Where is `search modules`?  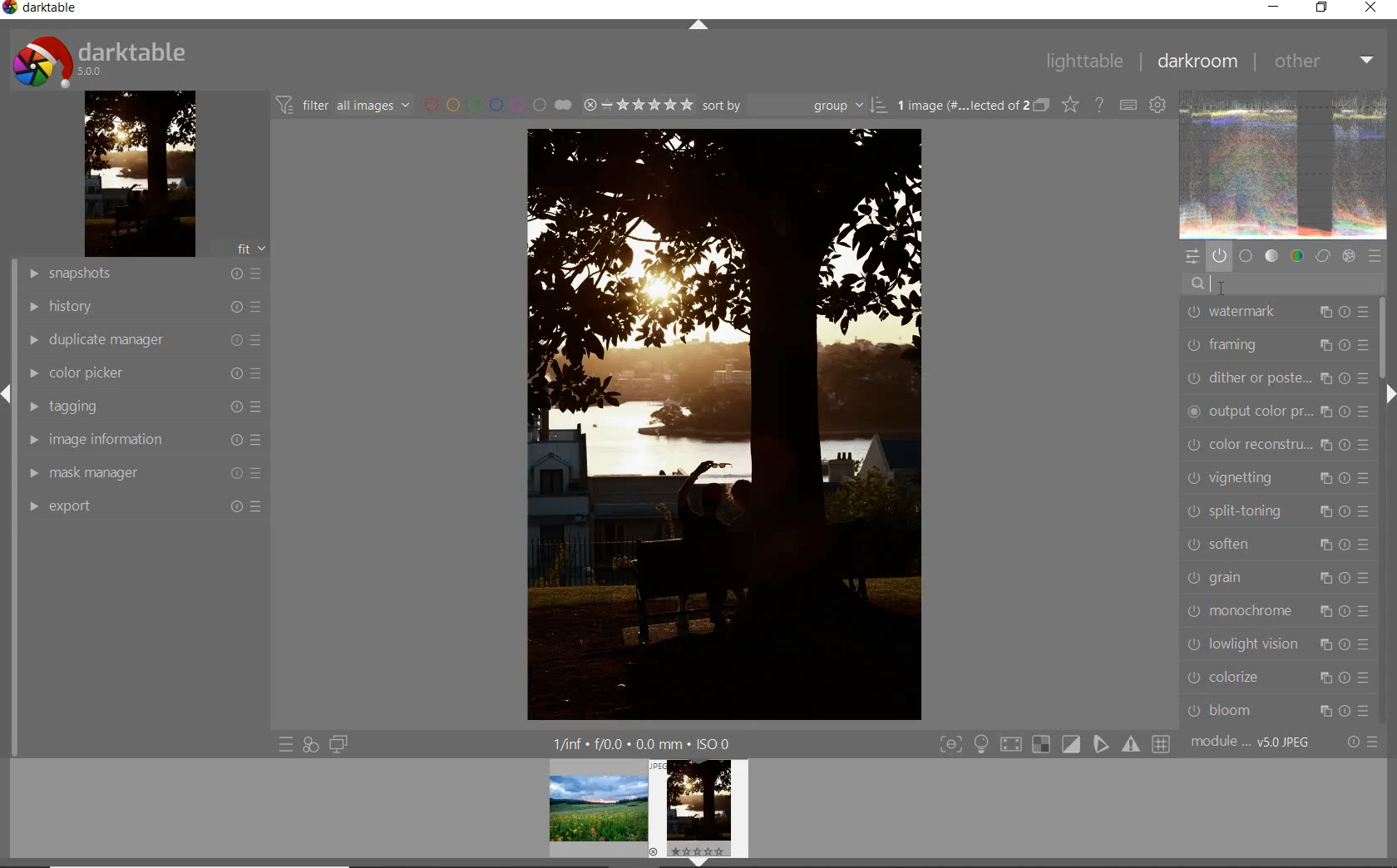
search modules is located at coordinates (1282, 284).